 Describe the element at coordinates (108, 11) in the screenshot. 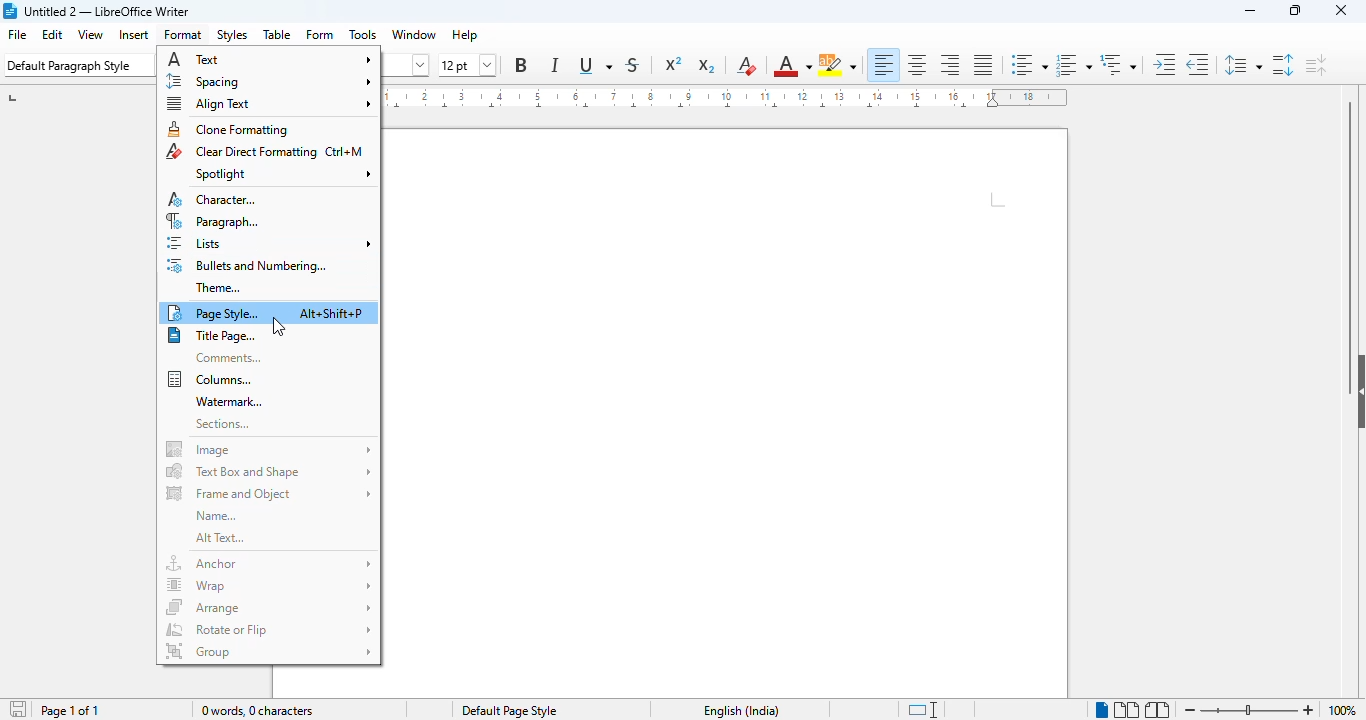

I see `title` at that location.